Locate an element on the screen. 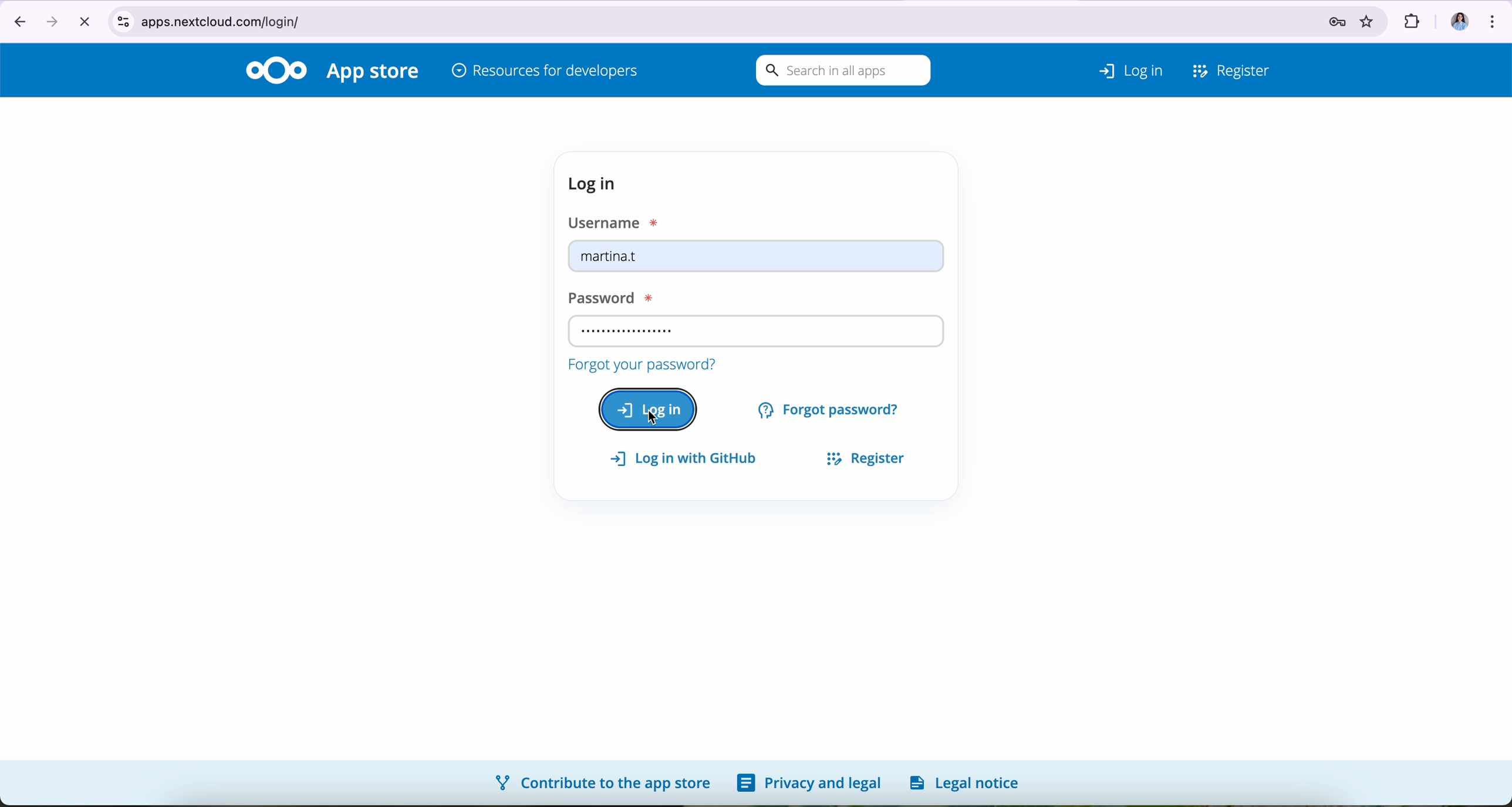 This screenshot has height=807, width=1512. navigate arrows is located at coordinates (32, 20).